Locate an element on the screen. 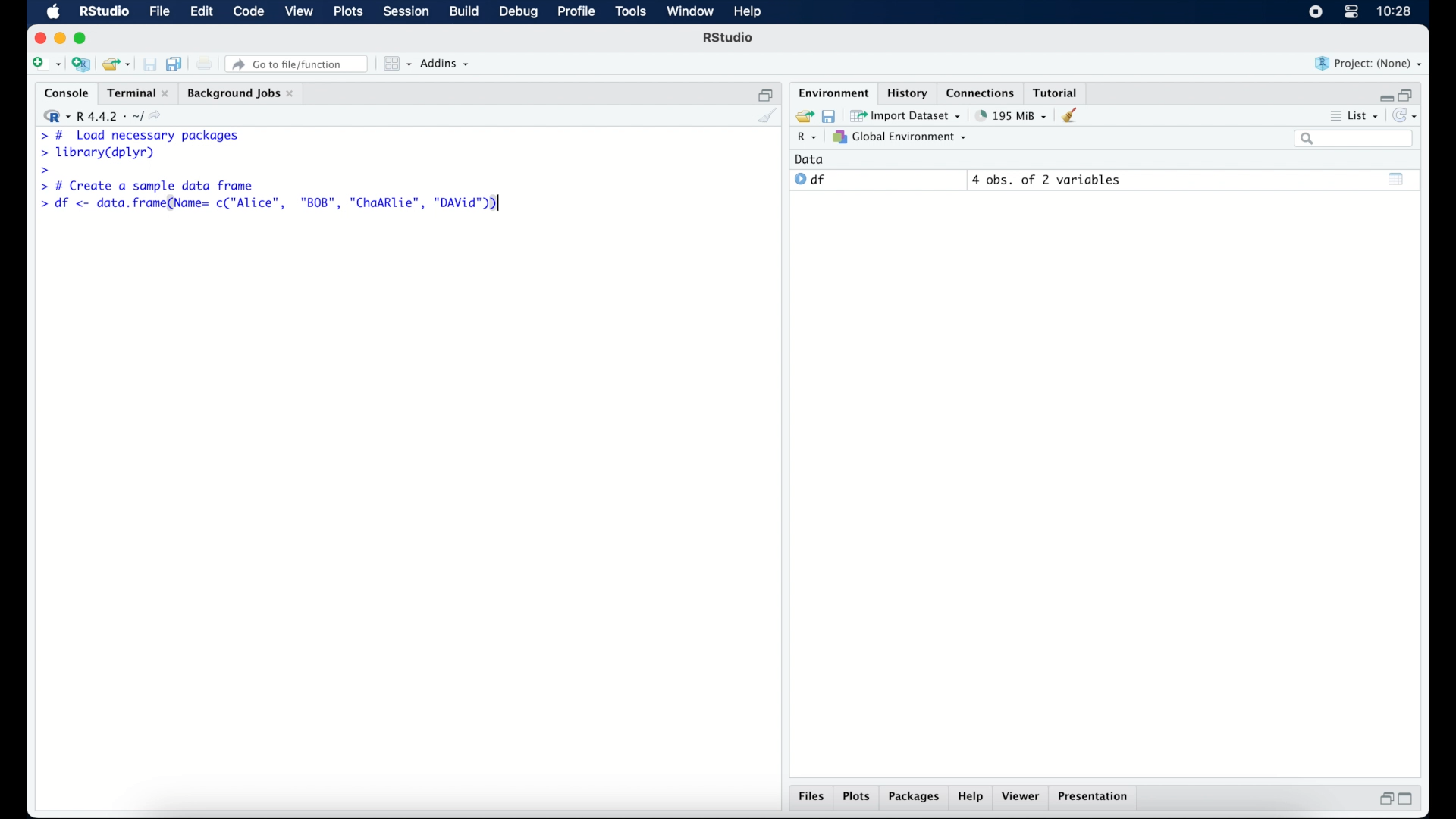 This screenshot has height=819, width=1456. save is located at coordinates (828, 115).